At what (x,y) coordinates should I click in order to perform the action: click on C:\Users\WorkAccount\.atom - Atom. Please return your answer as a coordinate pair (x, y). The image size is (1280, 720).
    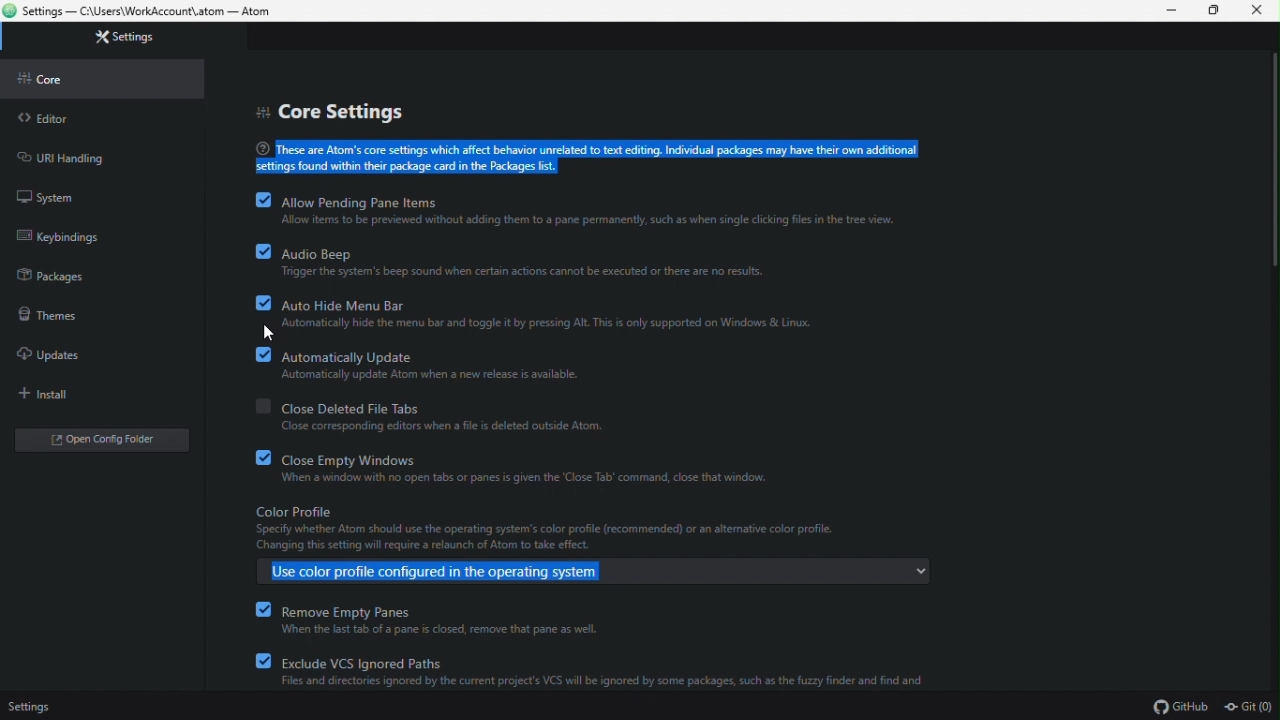
    Looking at the image, I should click on (146, 10).